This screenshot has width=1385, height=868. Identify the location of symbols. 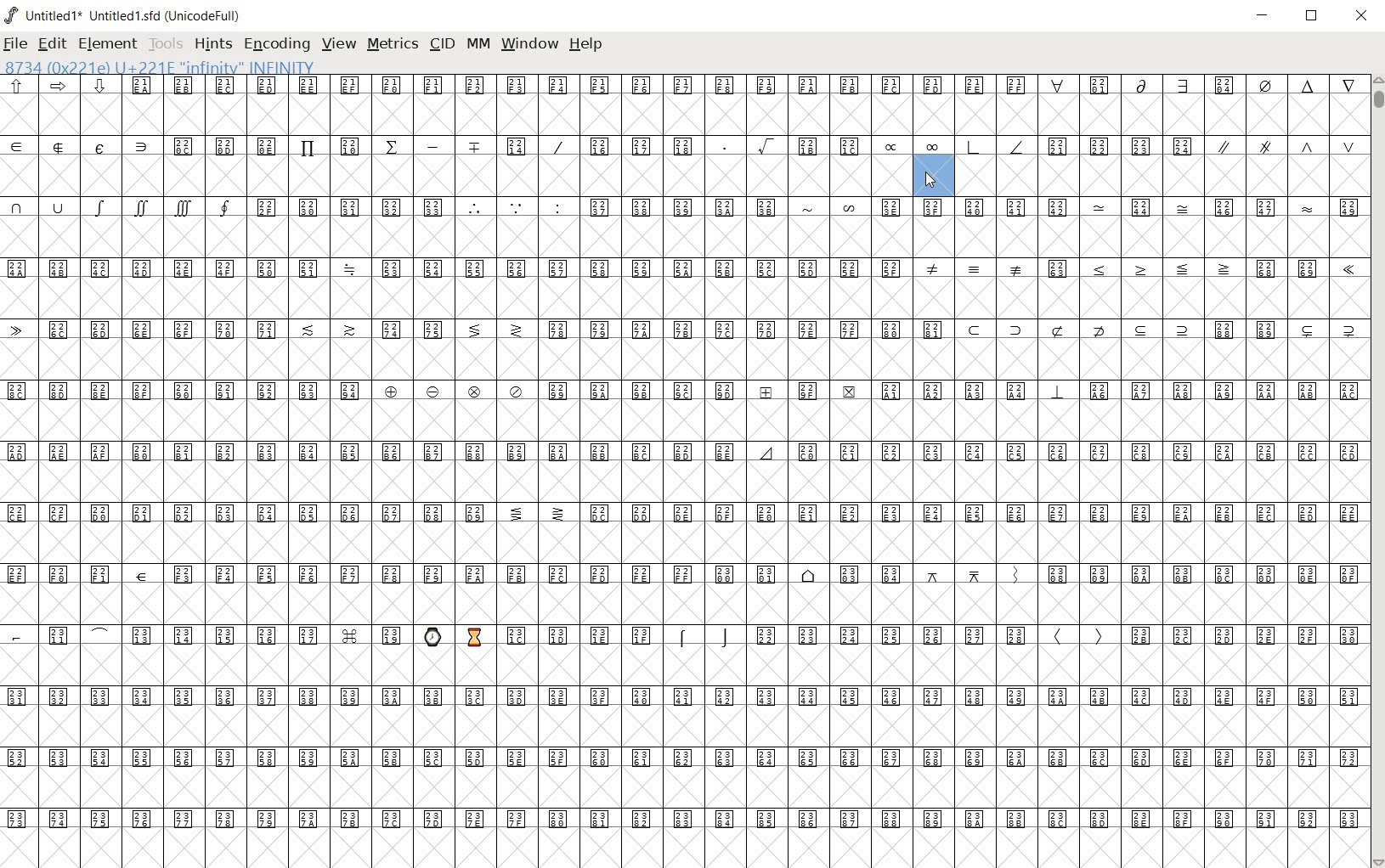
(953, 146).